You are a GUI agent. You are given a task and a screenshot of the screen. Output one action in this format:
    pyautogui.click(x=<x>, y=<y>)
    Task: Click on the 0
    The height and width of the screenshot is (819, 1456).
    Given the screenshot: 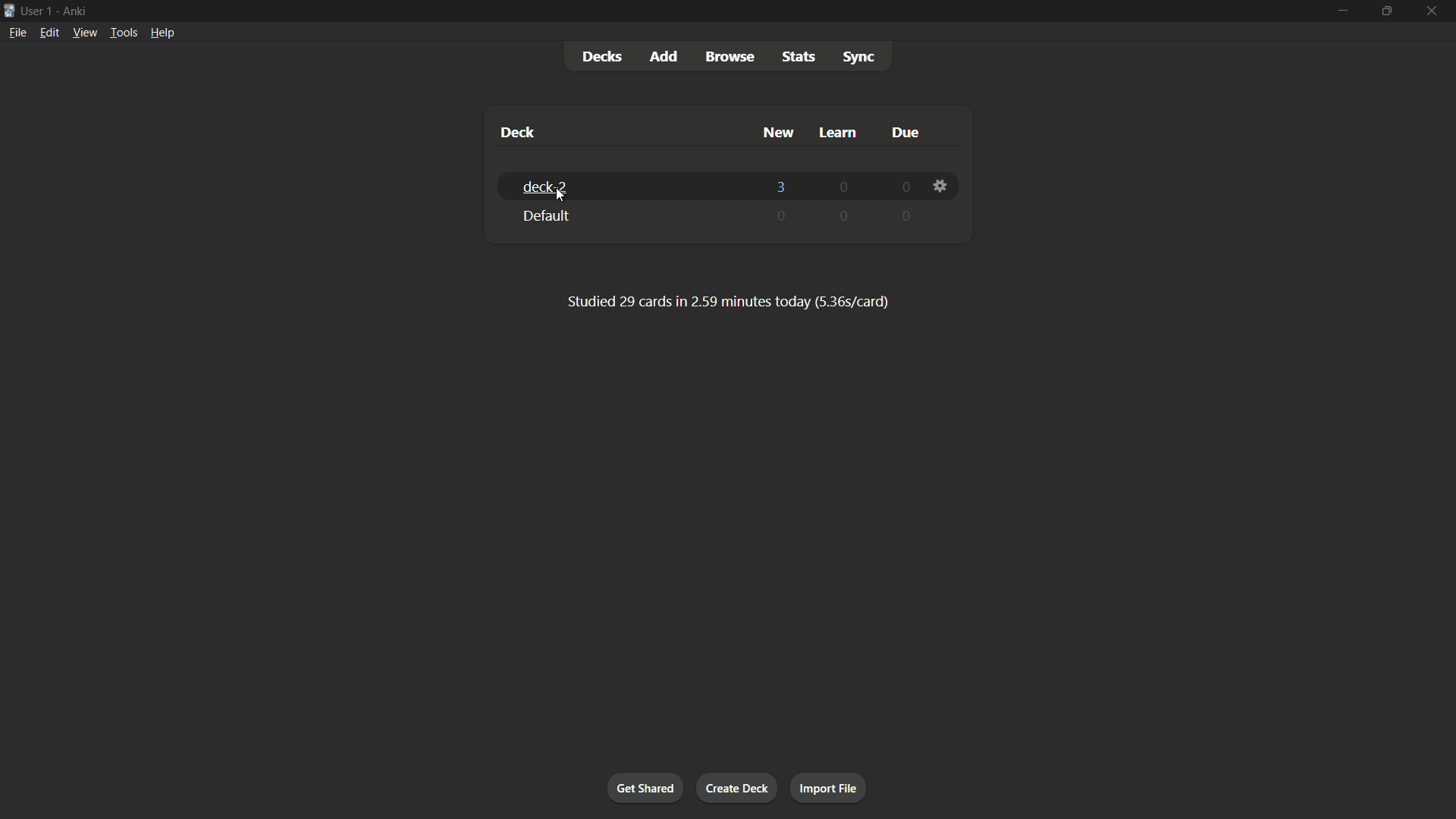 What is the action you would take?
    pyautogui.click(x=786, y=217)
    